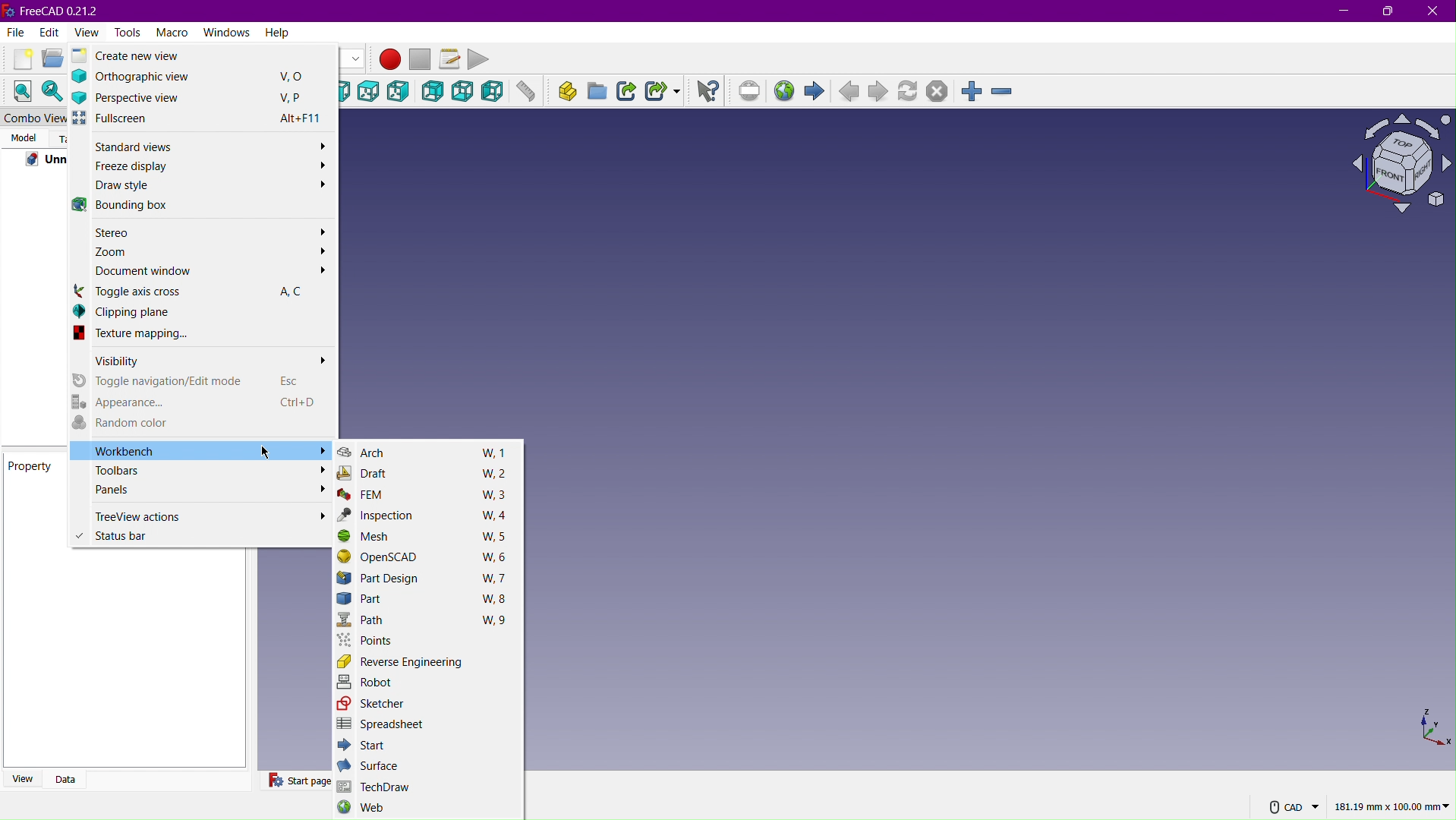 The width and height of the screenshot is (1456, 820). I want to click on Start Page, so click(300, 781).